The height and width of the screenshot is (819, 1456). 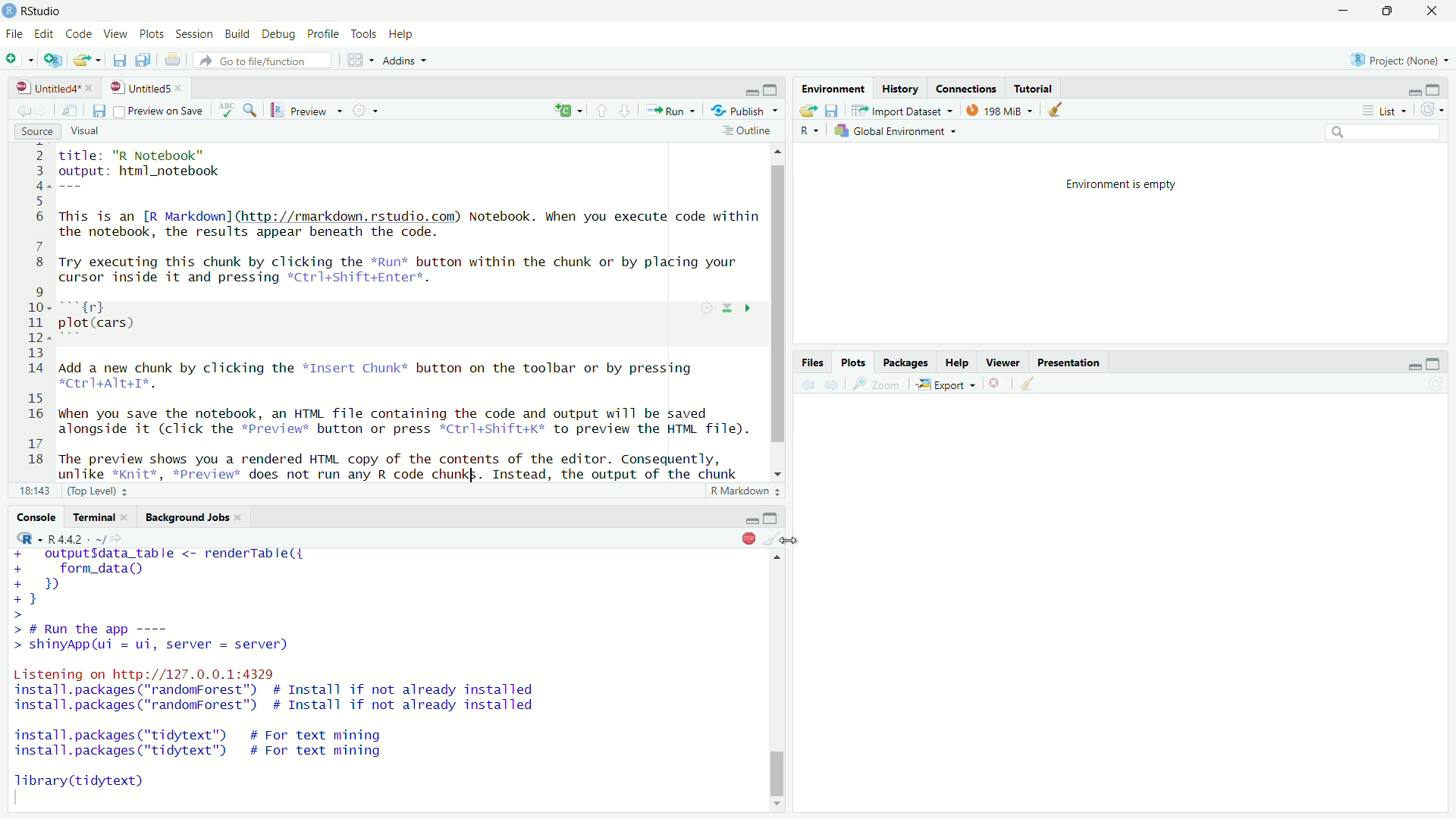 I want to click on Preview, so click(x=307, y=111).